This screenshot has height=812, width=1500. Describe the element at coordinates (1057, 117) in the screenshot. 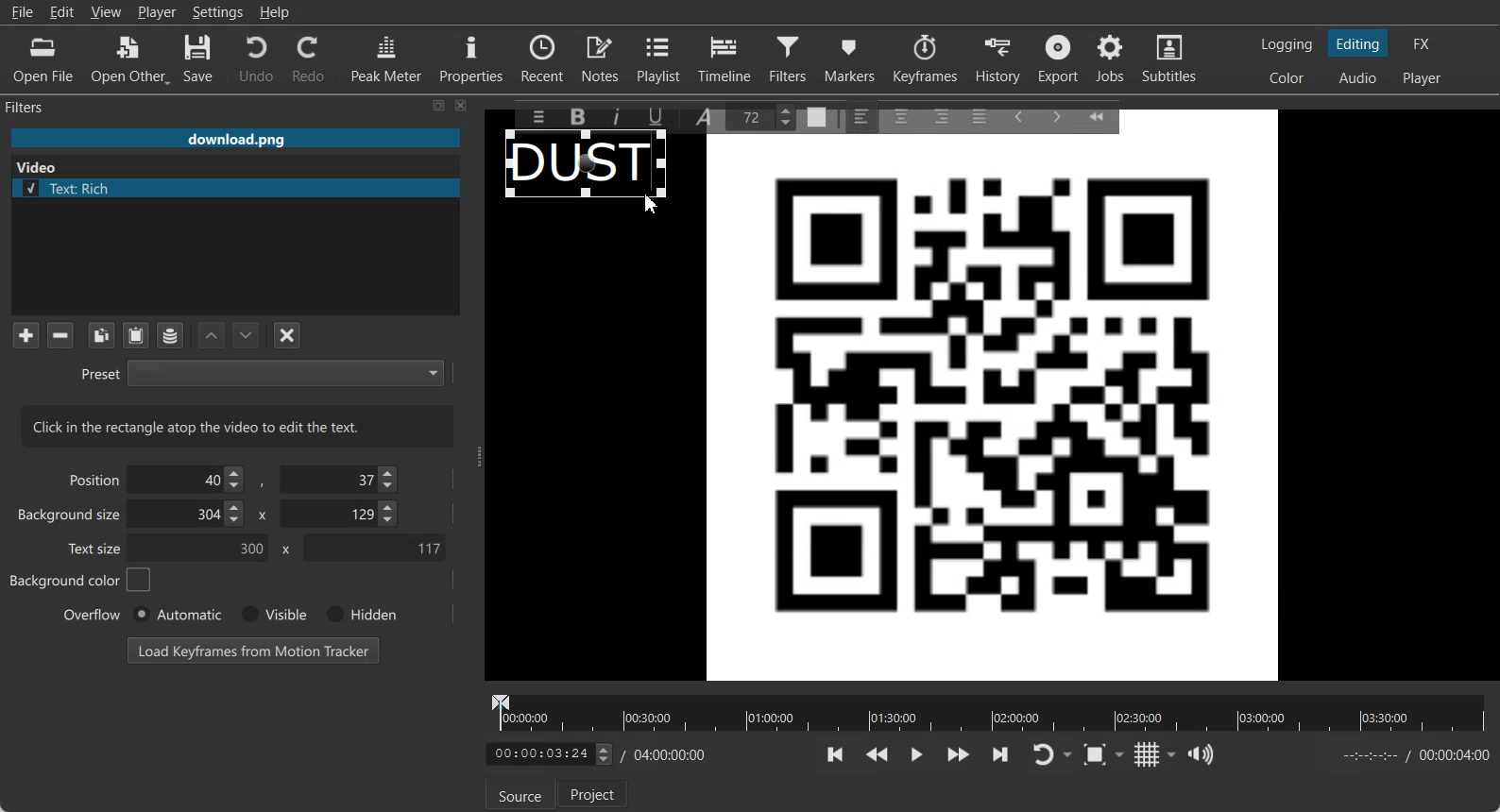

I see `Insert Indent` at that location.